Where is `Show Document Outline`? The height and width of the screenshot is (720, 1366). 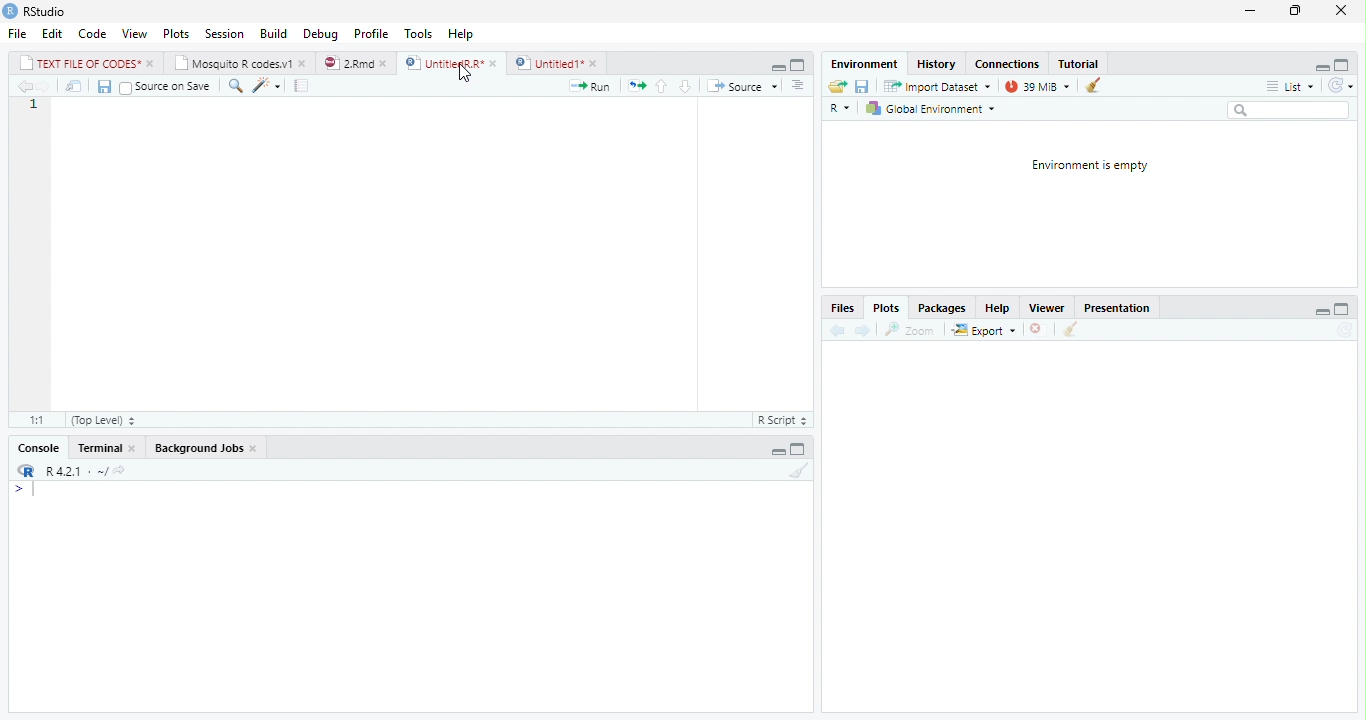
Show Document Outline is located at coordinates (799, 84).